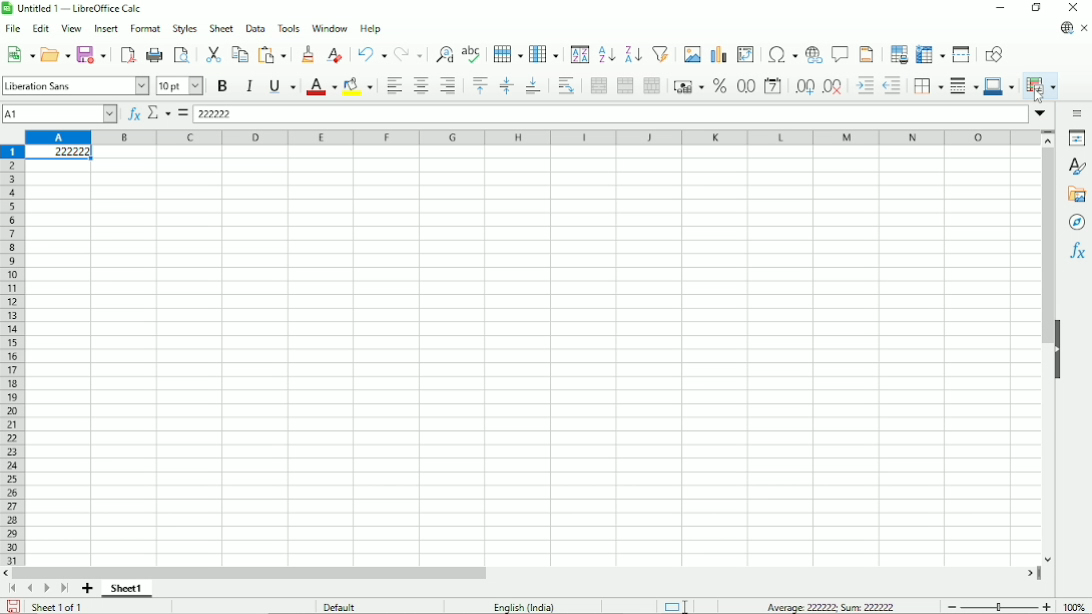  What do you see at coordinates (1077, 252) in the screenshot?
I see `Functions` at bounding box center [1077, 252].